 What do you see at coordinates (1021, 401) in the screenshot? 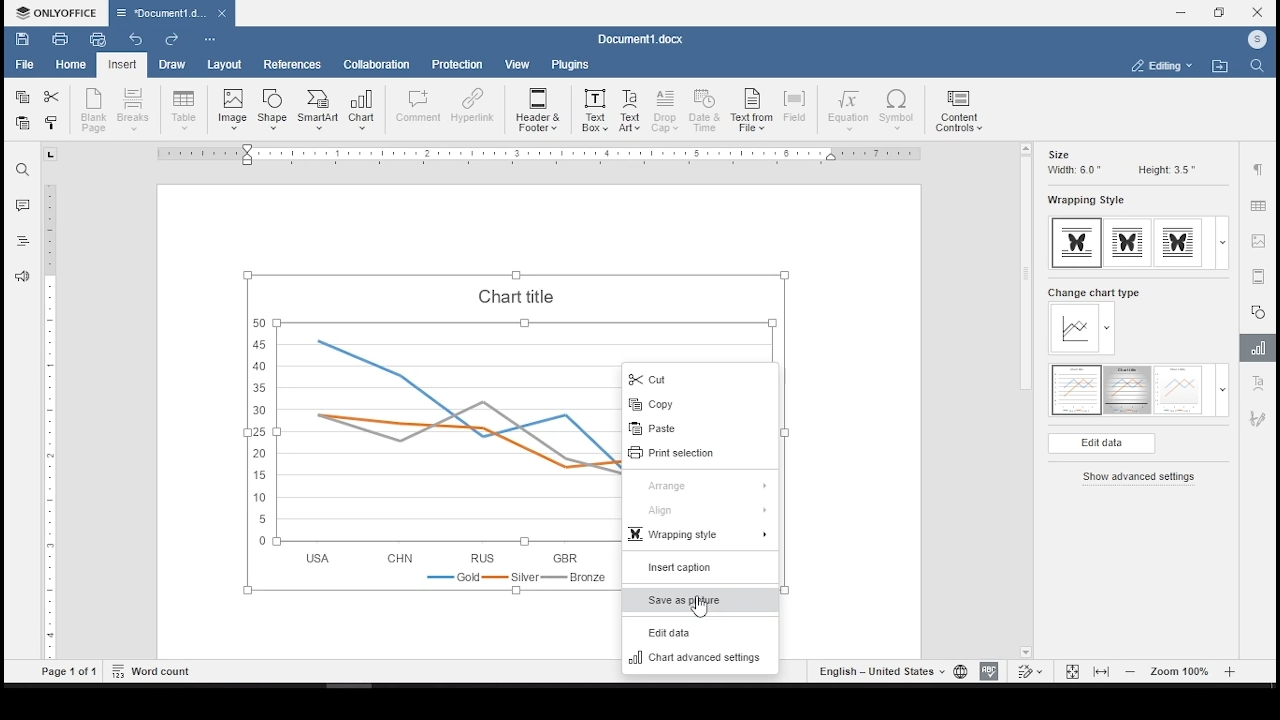
I see `scroll bar` at bounding box center [1021, 401].